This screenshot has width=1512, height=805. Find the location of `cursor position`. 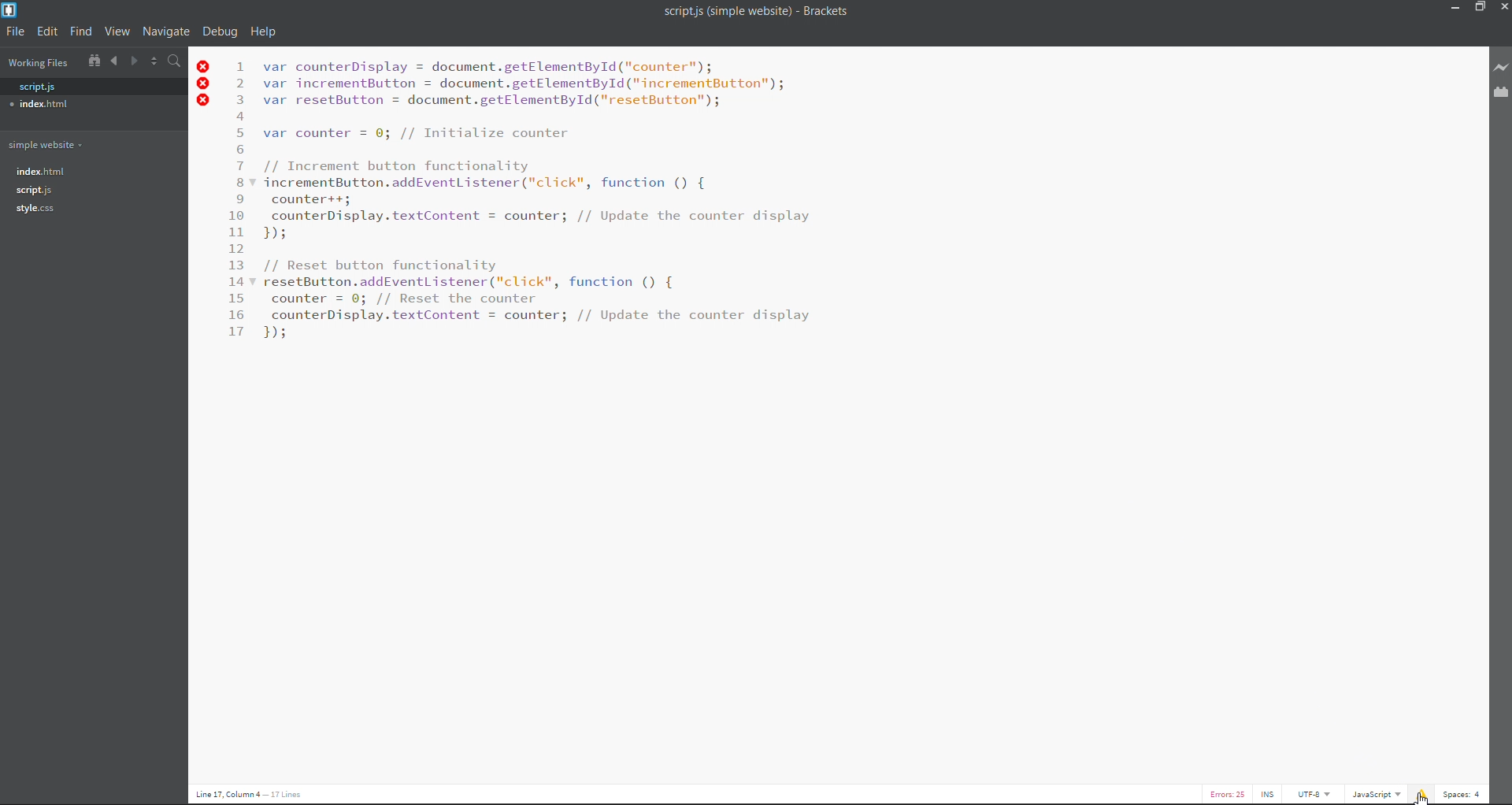

cursor position is located at coordinates (263, 795).